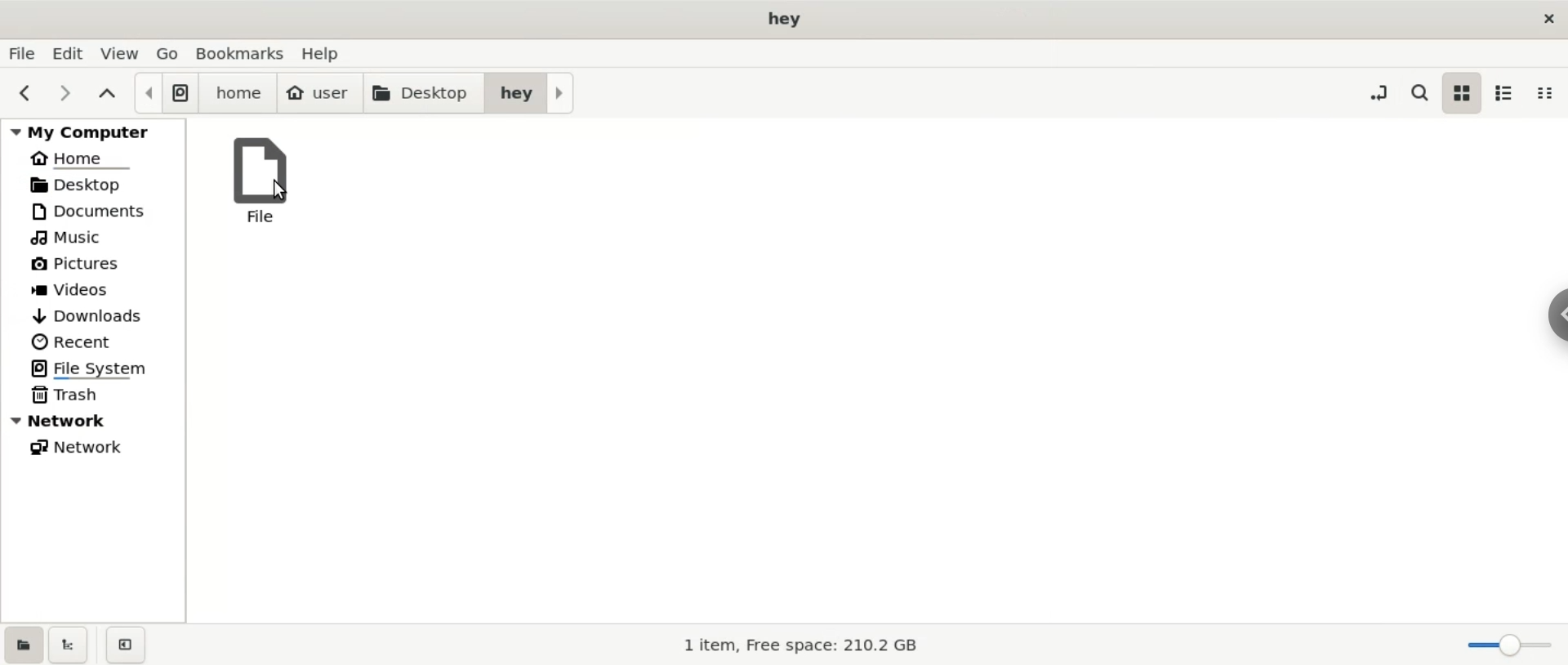 The image size is (1568, 665). Describe the element at coordinates (94, 315) in the screenshot. I see `dowbloads` at that location.